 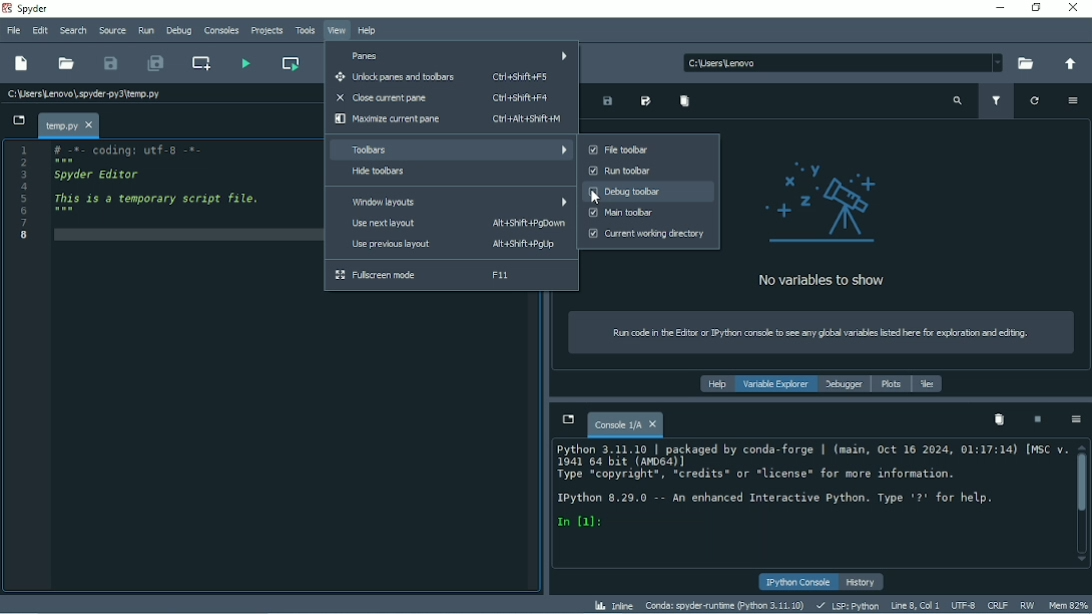 I want to click on Consoles, so click(x=220, y=31).